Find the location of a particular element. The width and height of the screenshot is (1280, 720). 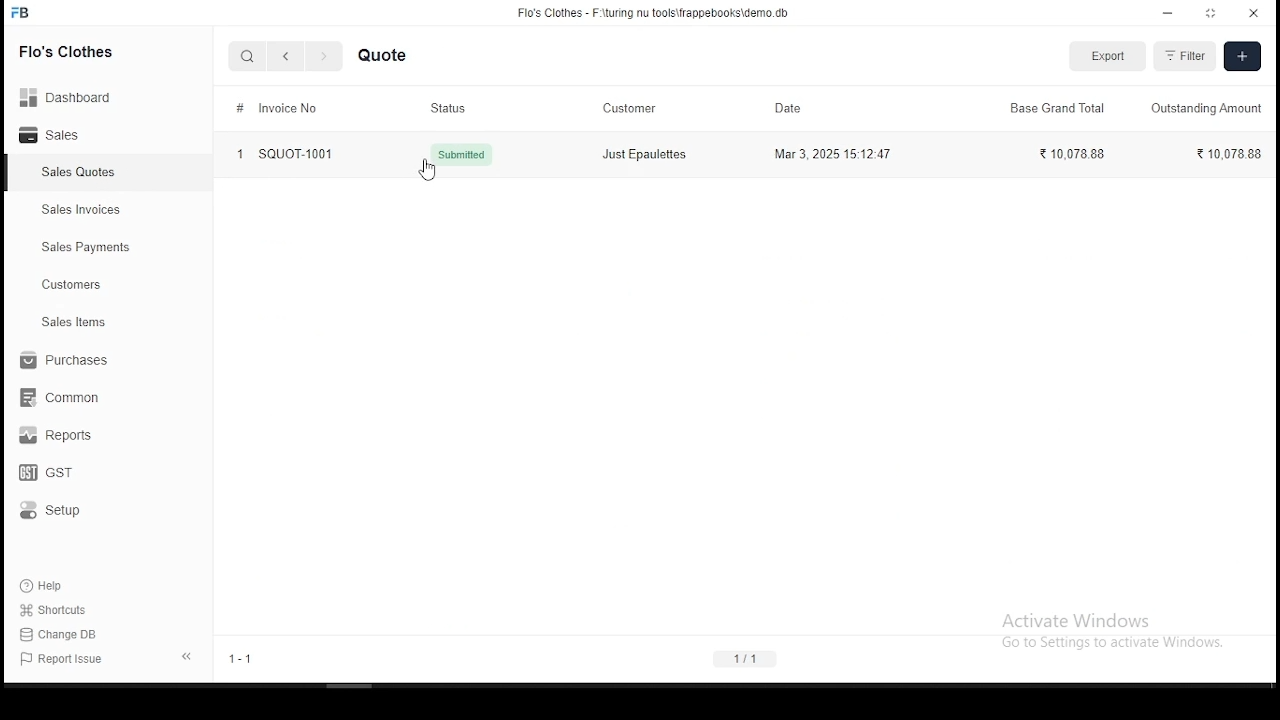

10,078.88 is located at coordinates (1227, 155).